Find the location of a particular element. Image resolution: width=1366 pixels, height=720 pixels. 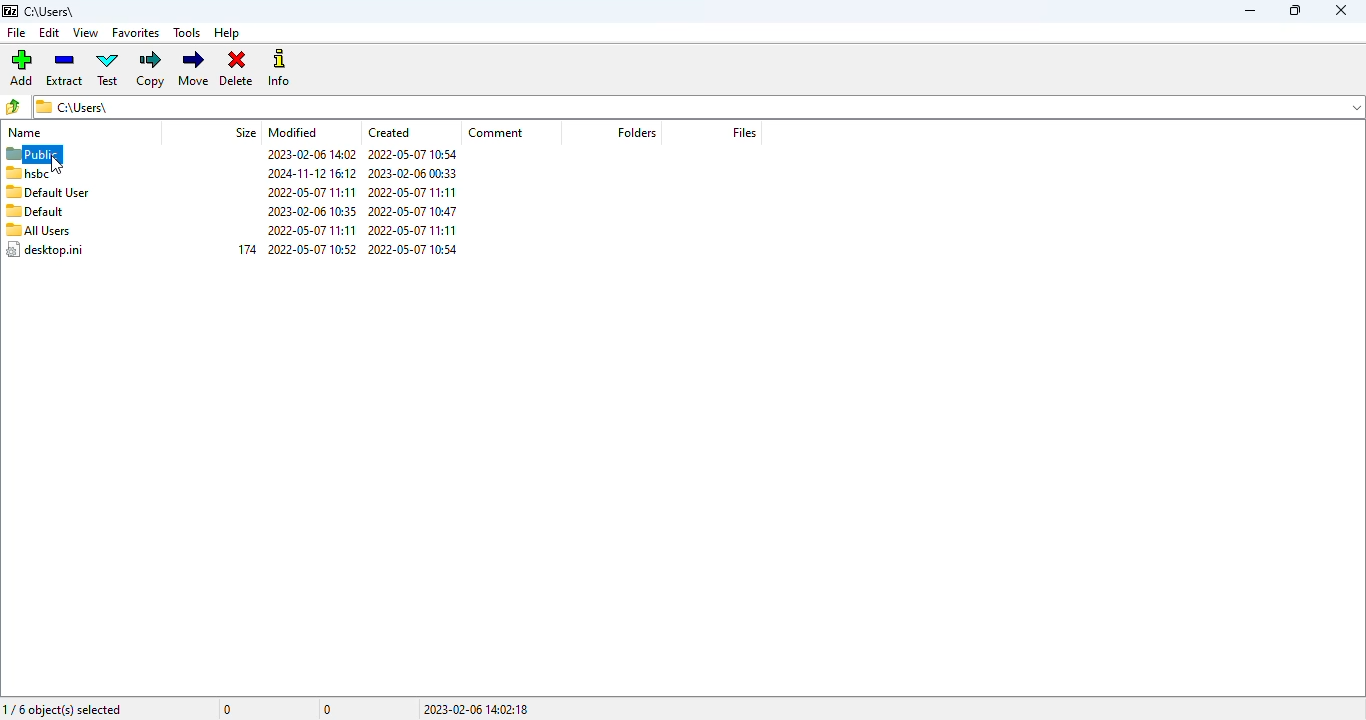

info is located at coordinates (281, 68).